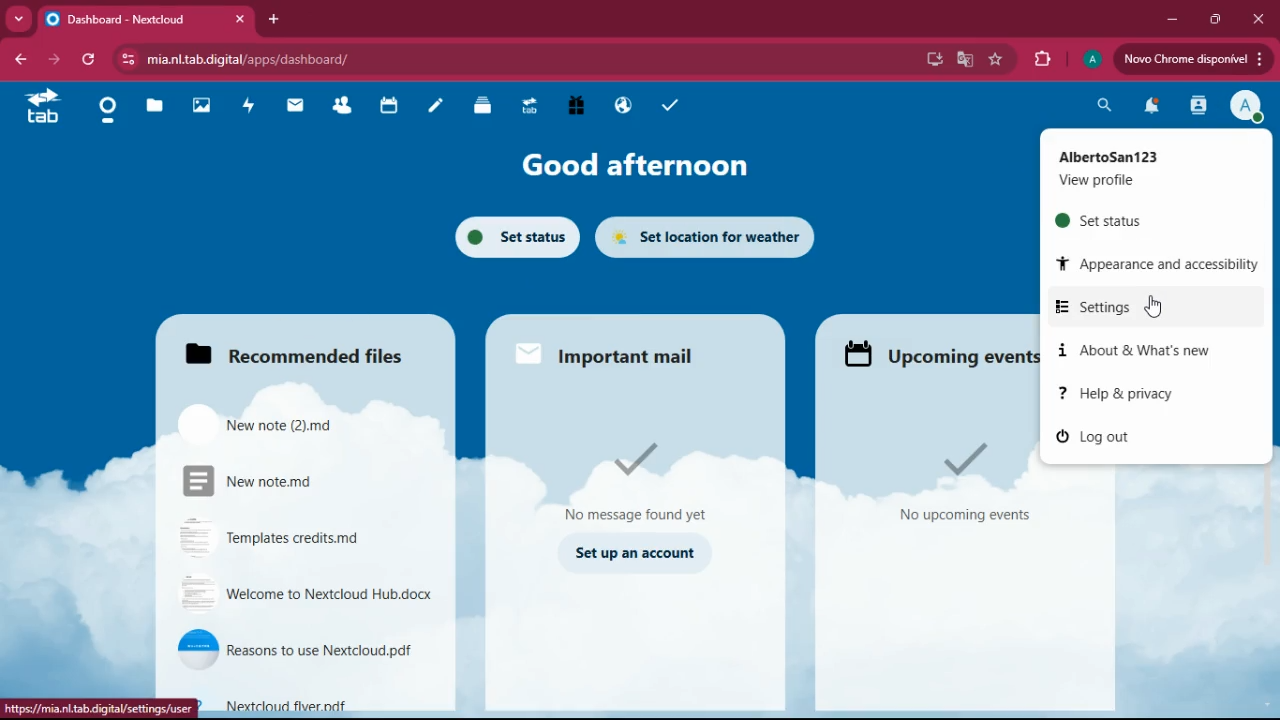 The image size is (1280, 720). Describe the element at coordinates (577, 106) in the screenshot. I see `gift` at that location.